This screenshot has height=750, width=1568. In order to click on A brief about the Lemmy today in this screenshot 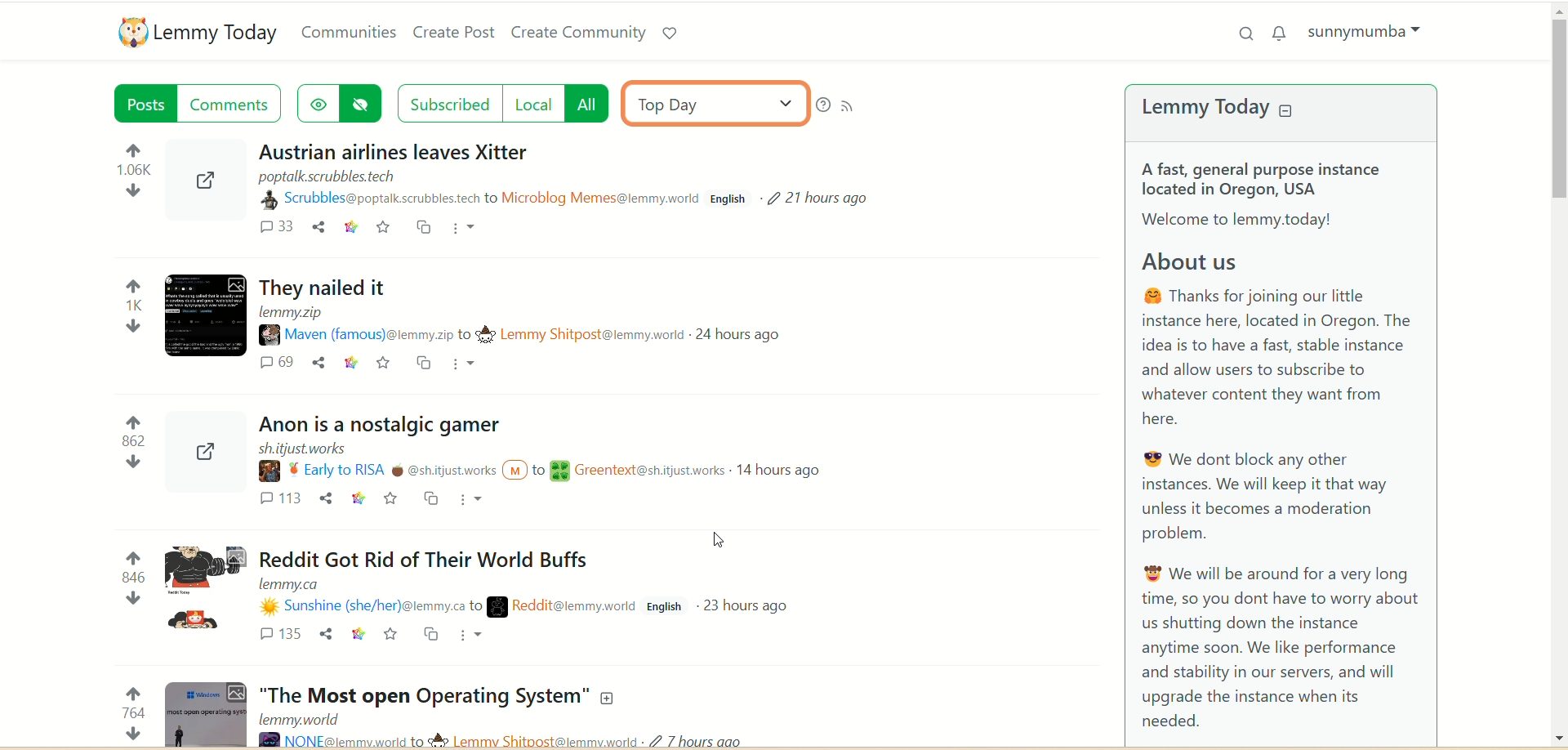, I will do `click(1283, 447)`.